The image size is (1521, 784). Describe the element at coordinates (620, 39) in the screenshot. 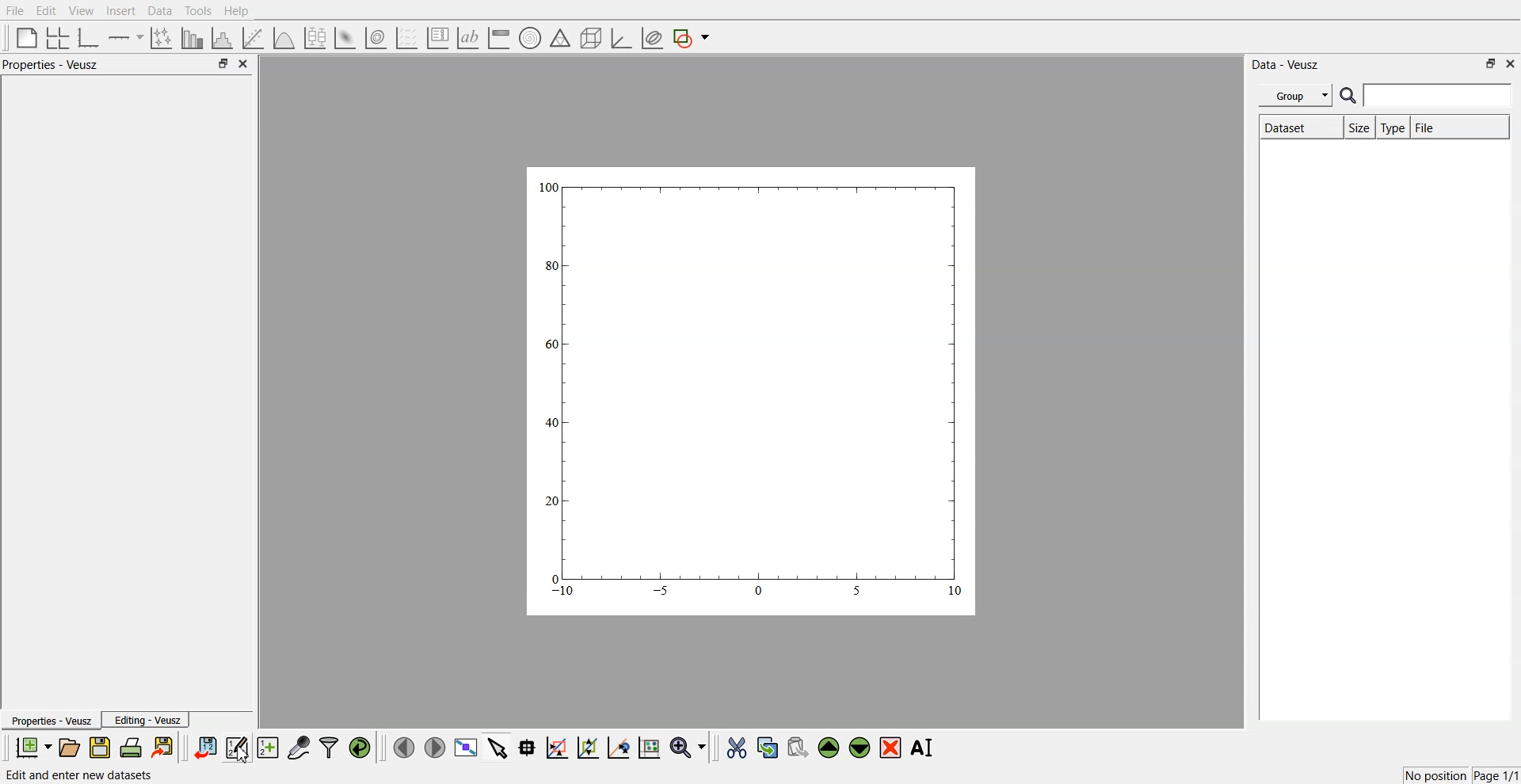

I see `3d graph` at that location.